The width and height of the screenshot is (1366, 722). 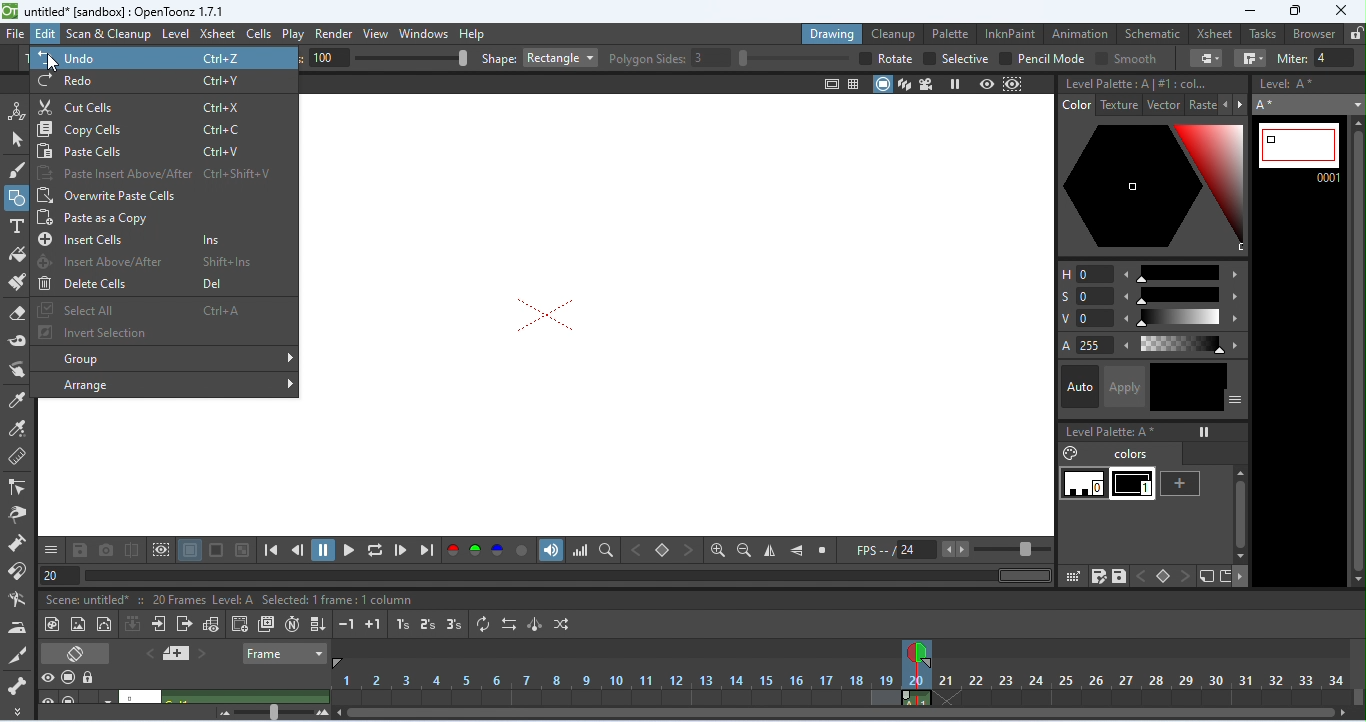 What do you see at coordinates (48, 697) in the screenshot?
I see `toggle visibility` at bounding box center [48, 697].